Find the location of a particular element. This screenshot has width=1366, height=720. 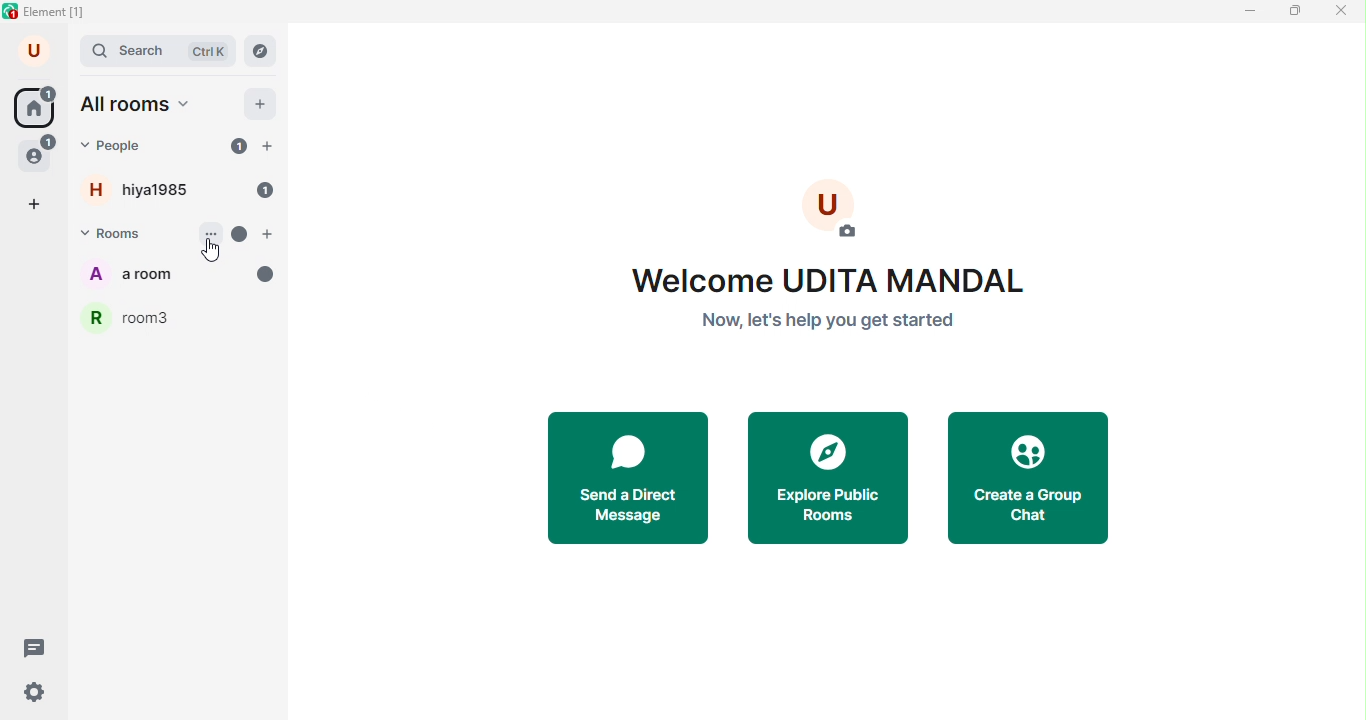

threads is located at coordinates (38, 649).